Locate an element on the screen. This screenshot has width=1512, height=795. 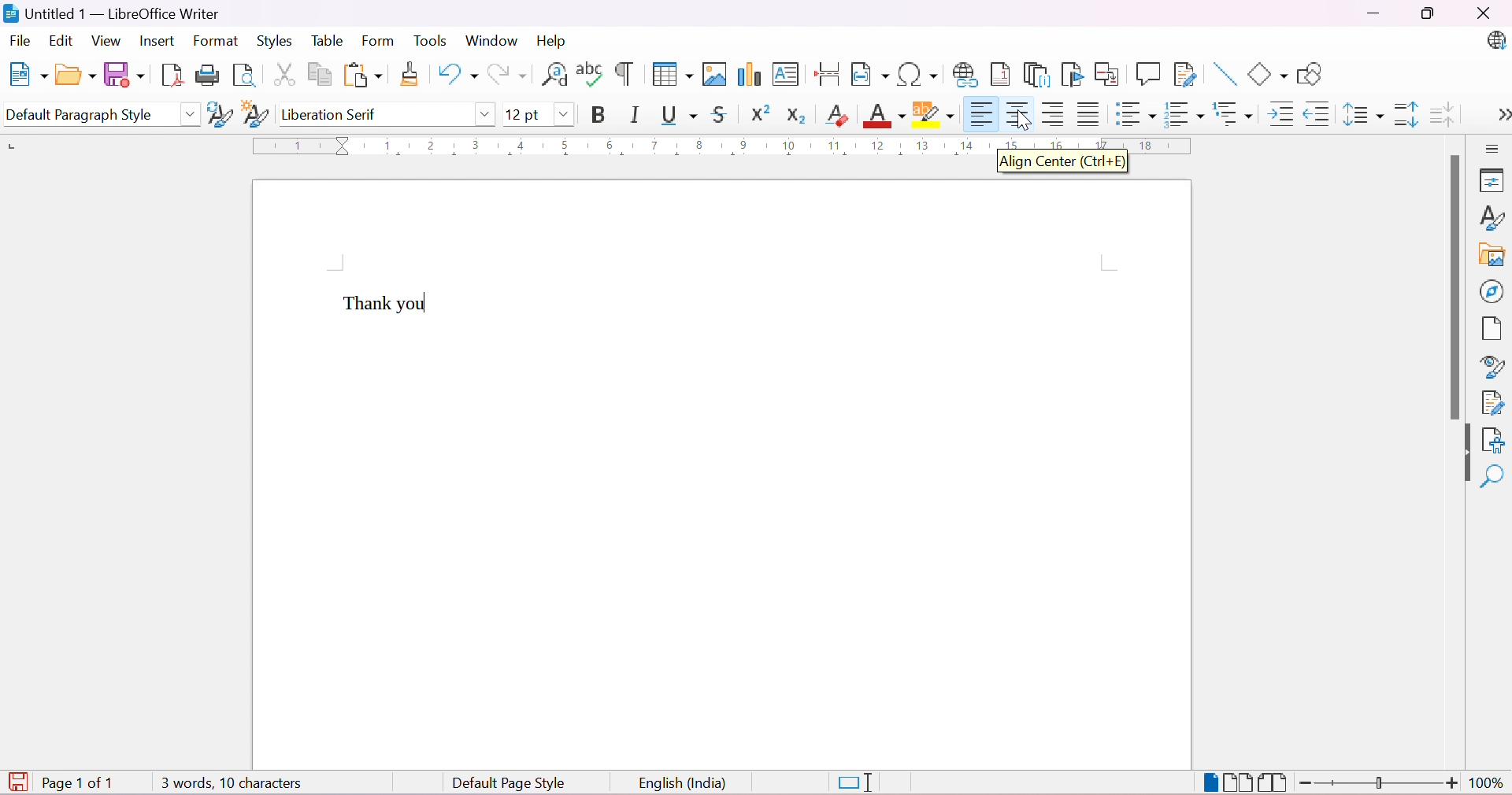
Gallery is located at coordinates (1490, 255).